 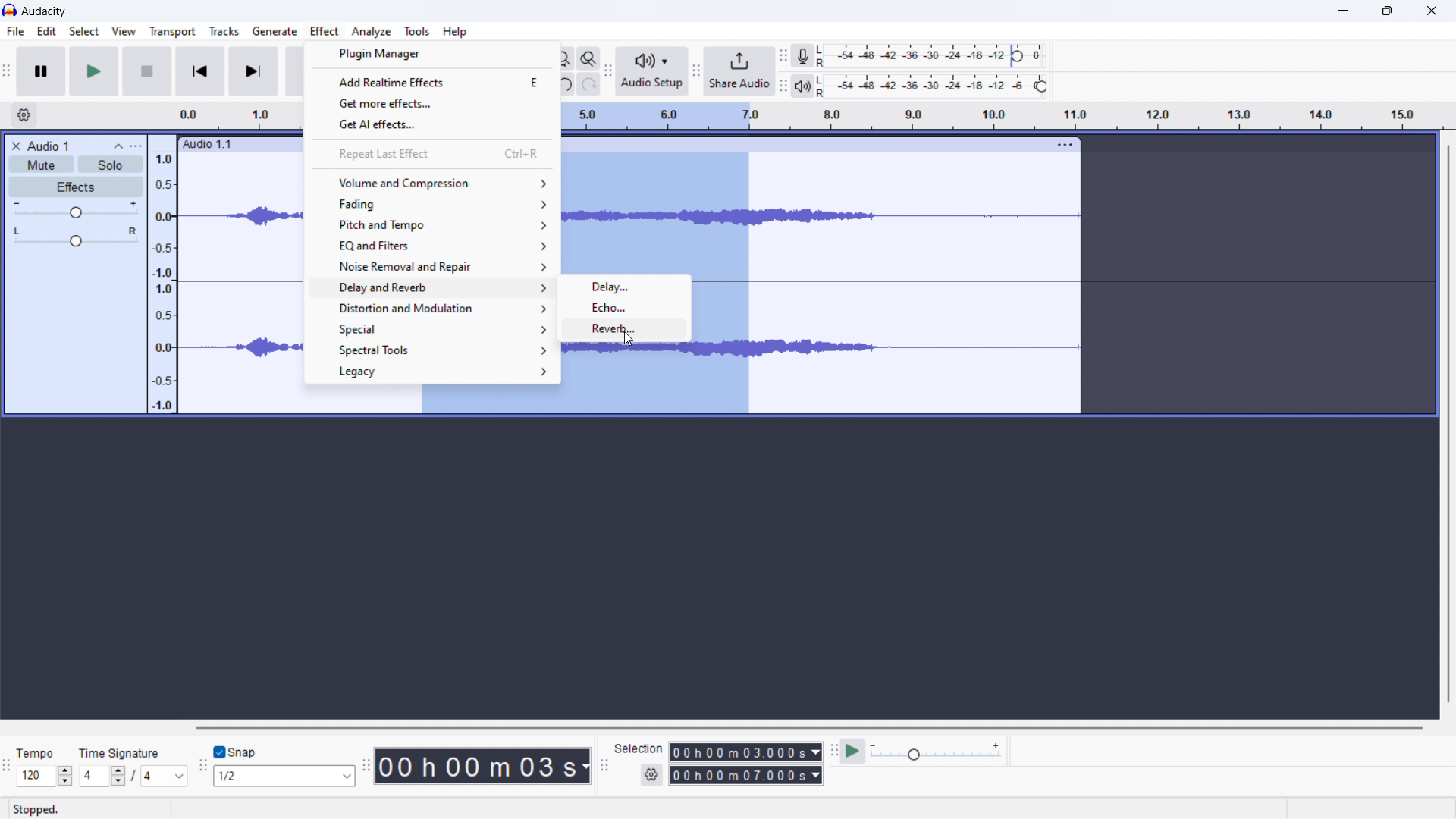 I want to click on add realtime effects, so click(x=431, y=78).